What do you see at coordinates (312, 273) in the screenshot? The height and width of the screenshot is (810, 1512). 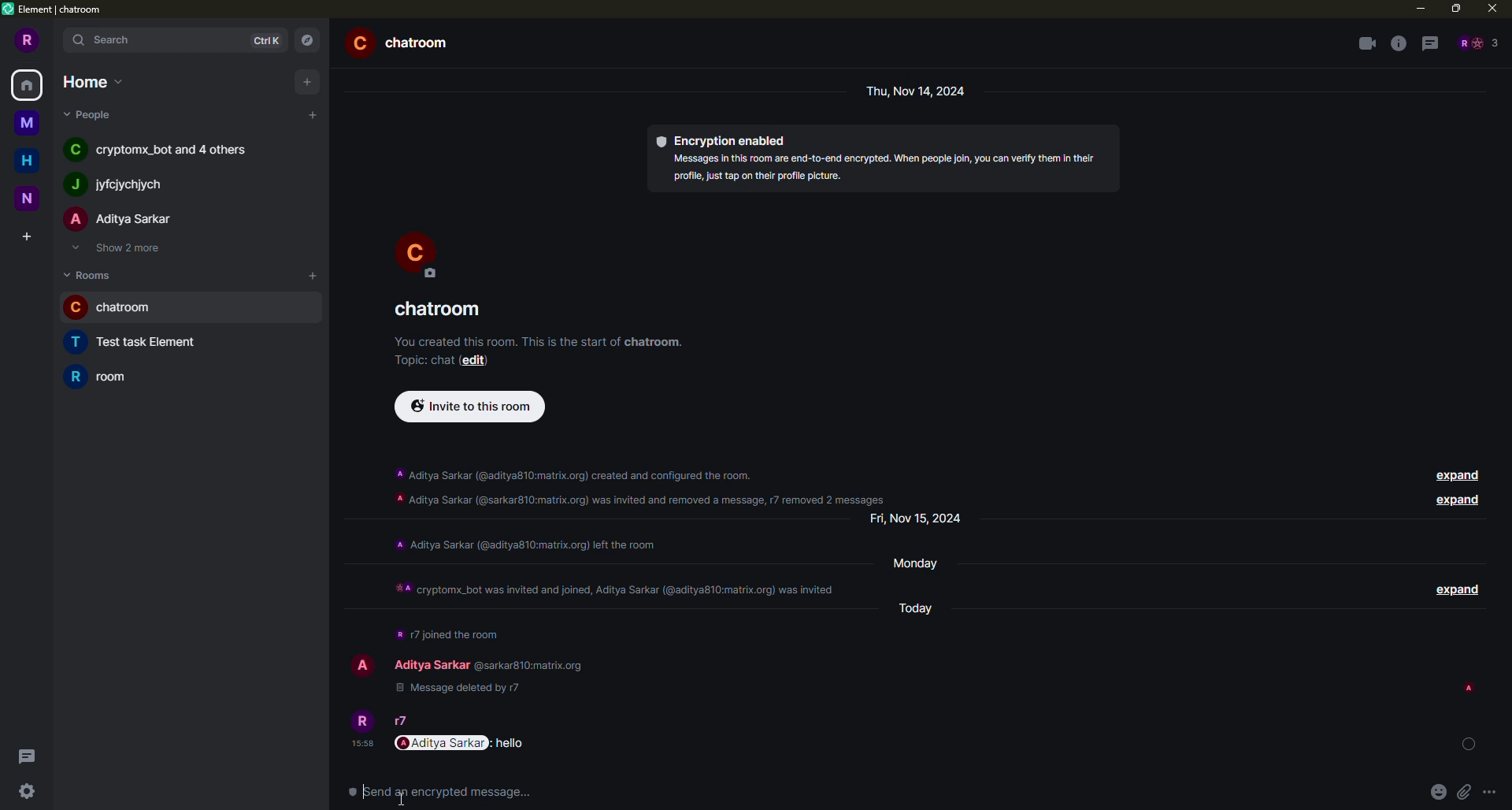 I see `add` at bounding box center [312, 273].